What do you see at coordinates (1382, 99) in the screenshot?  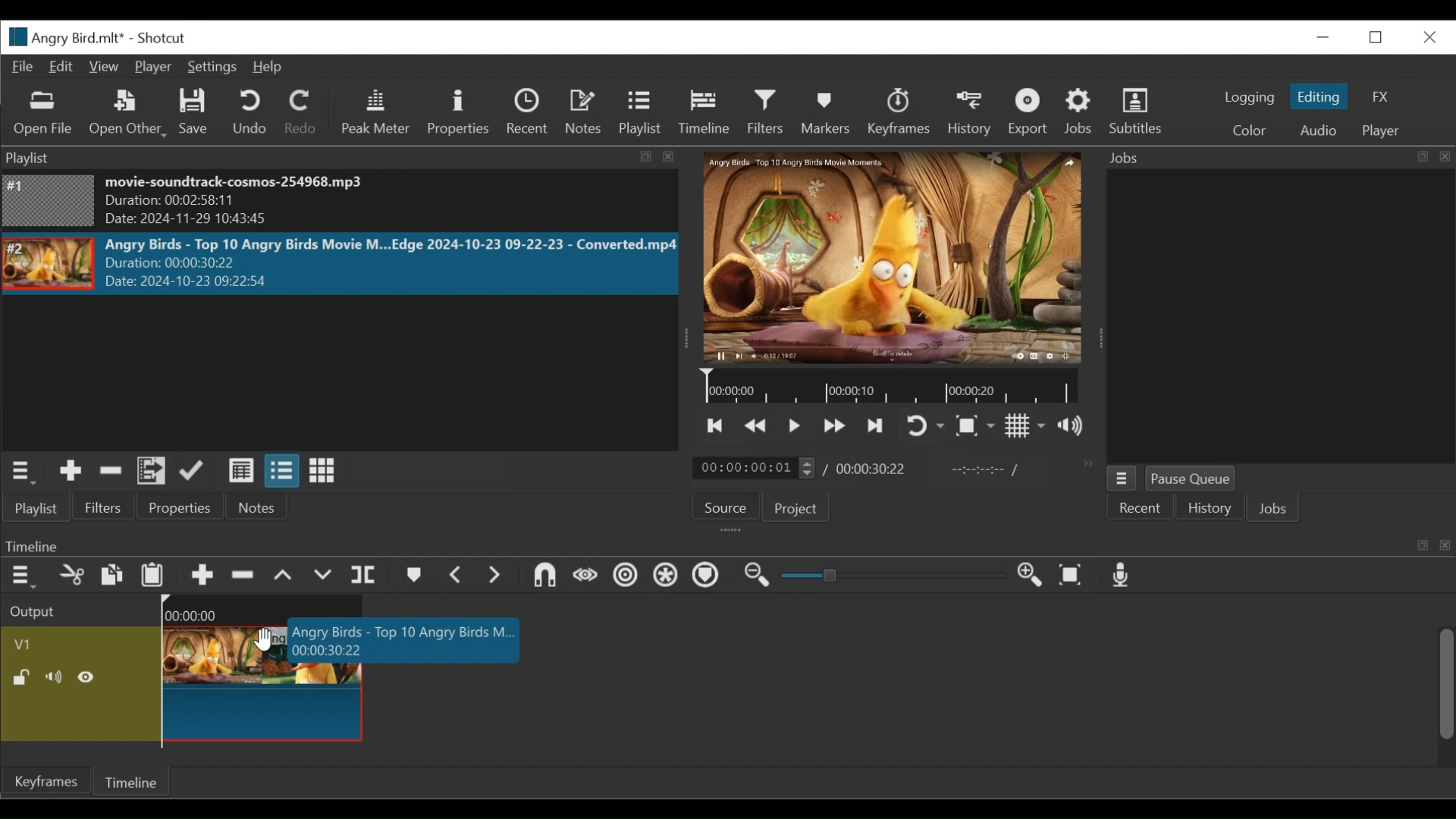 I see `FX` at bounding box center [1382, 99].